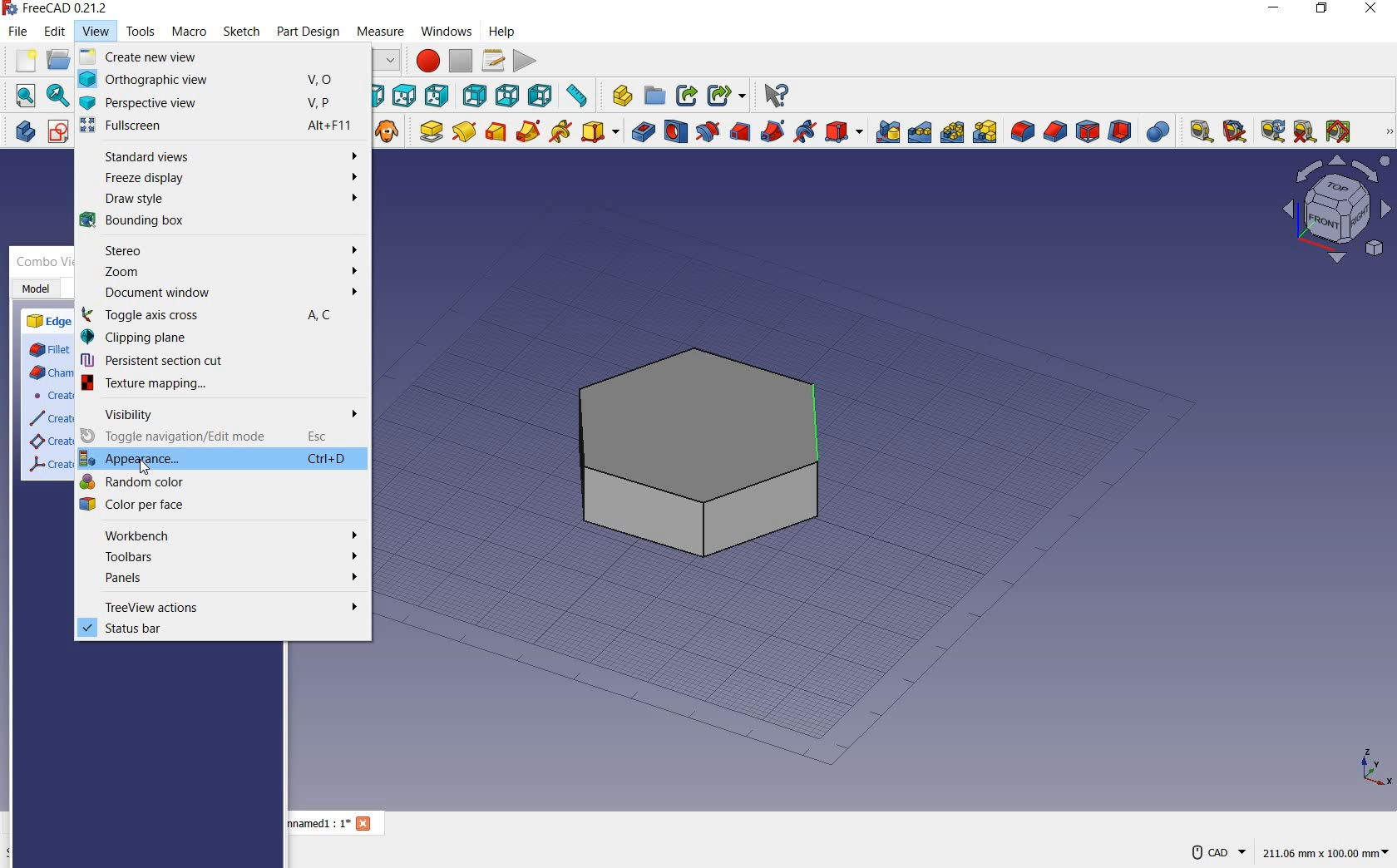  Describe the element at coordinates (1386, 133) in the screenshot. I see `MEASURE` at that location.